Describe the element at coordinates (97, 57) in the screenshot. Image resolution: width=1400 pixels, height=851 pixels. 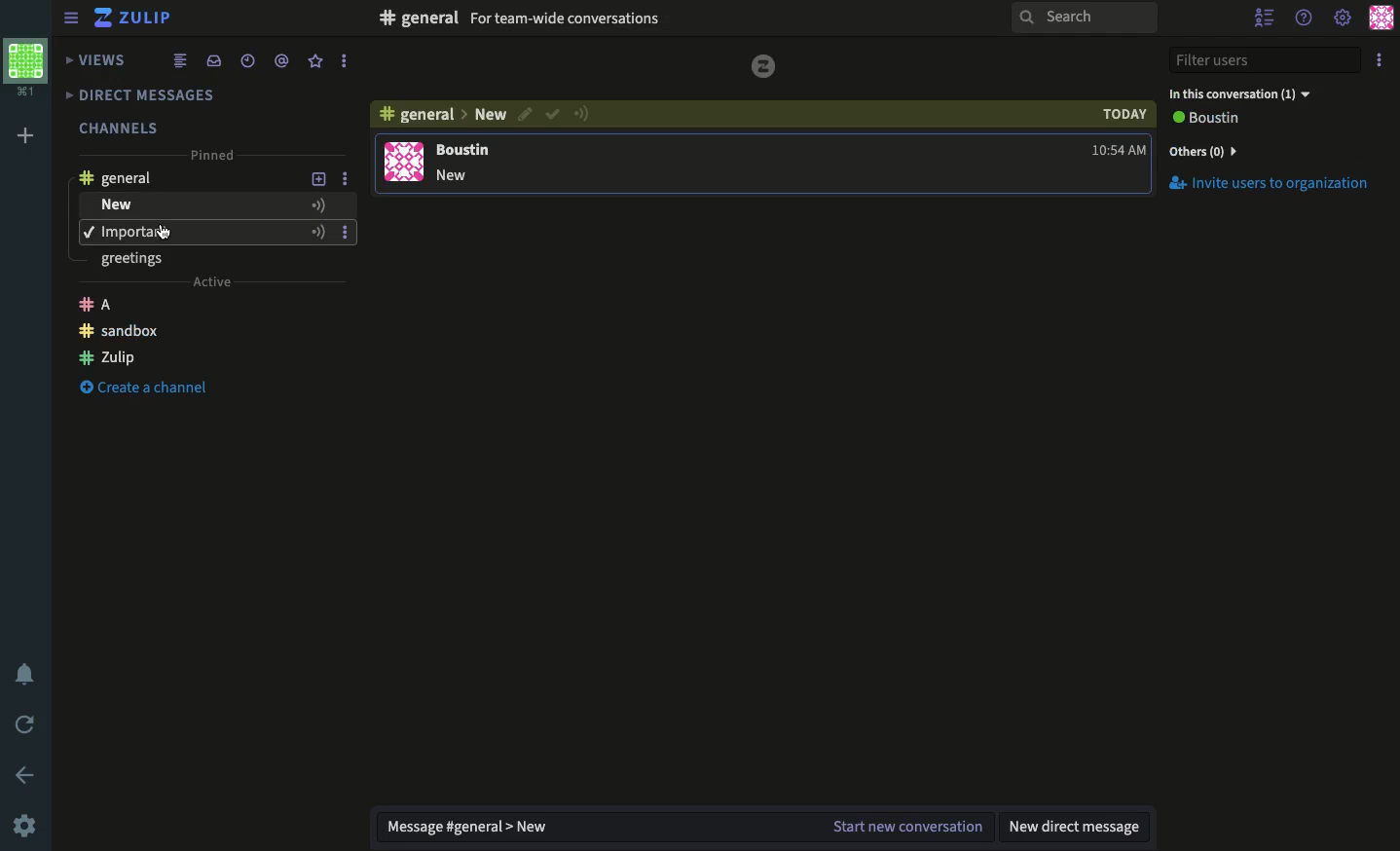
I see `Views` at that location.